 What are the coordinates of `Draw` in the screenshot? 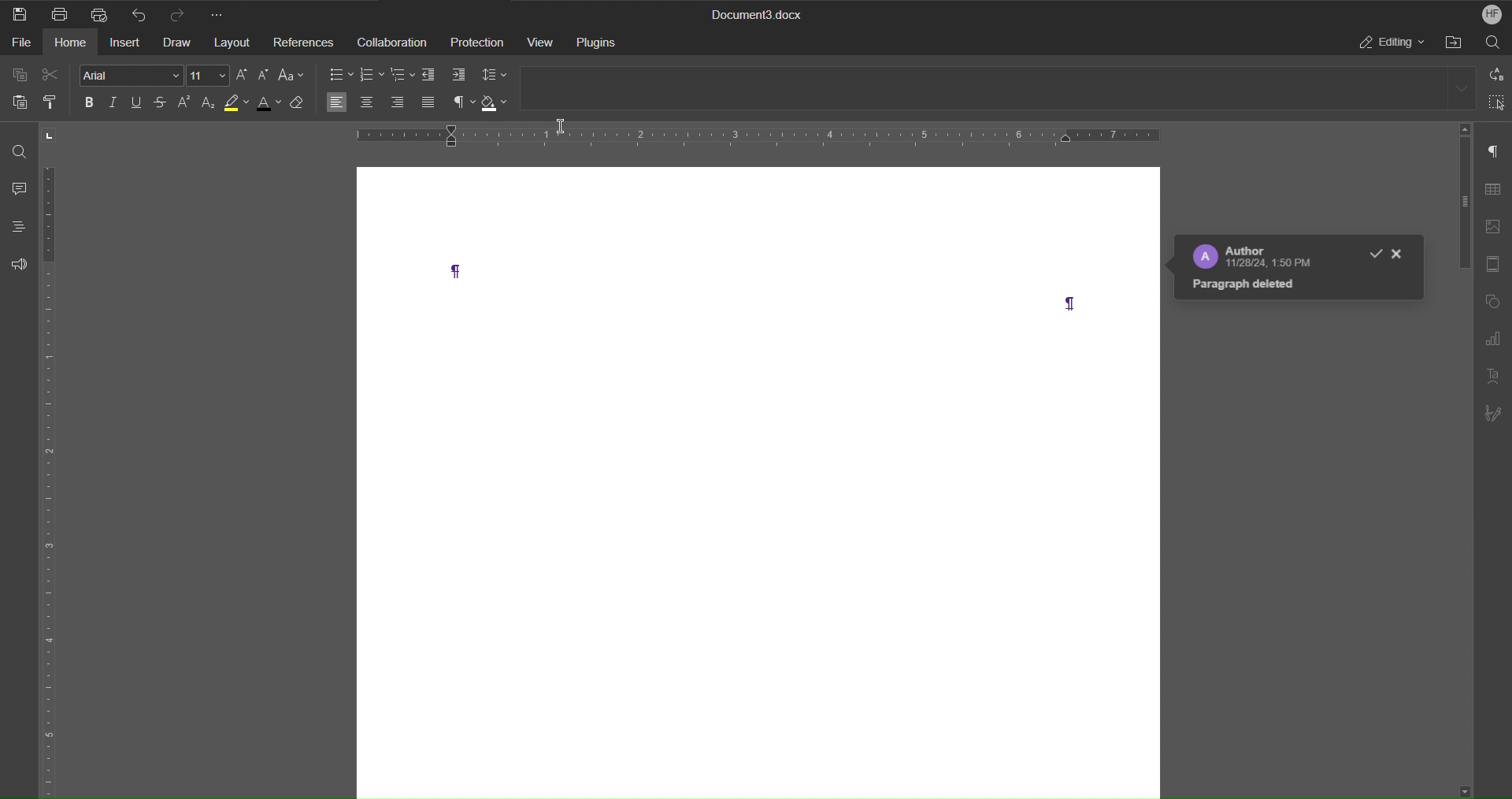 It's located at (178, 46).